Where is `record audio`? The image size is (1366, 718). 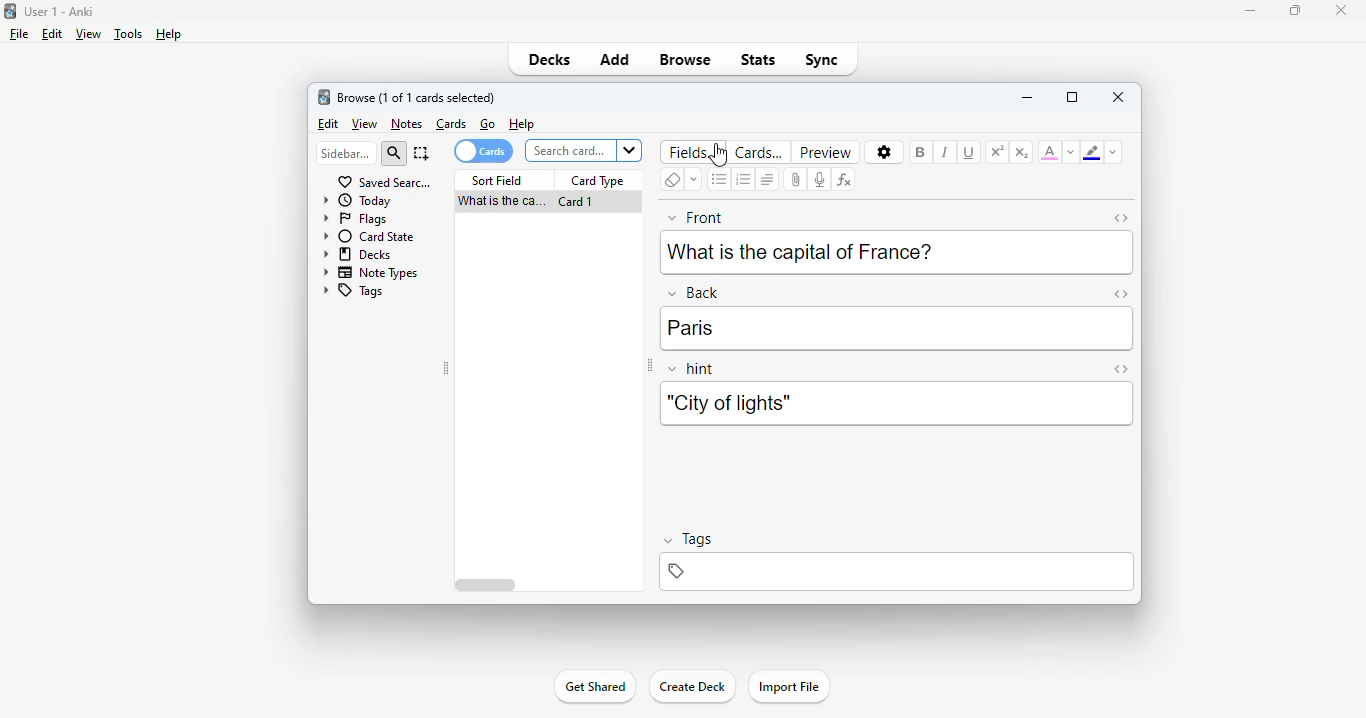 record audio is located at coordinates (819, 180).